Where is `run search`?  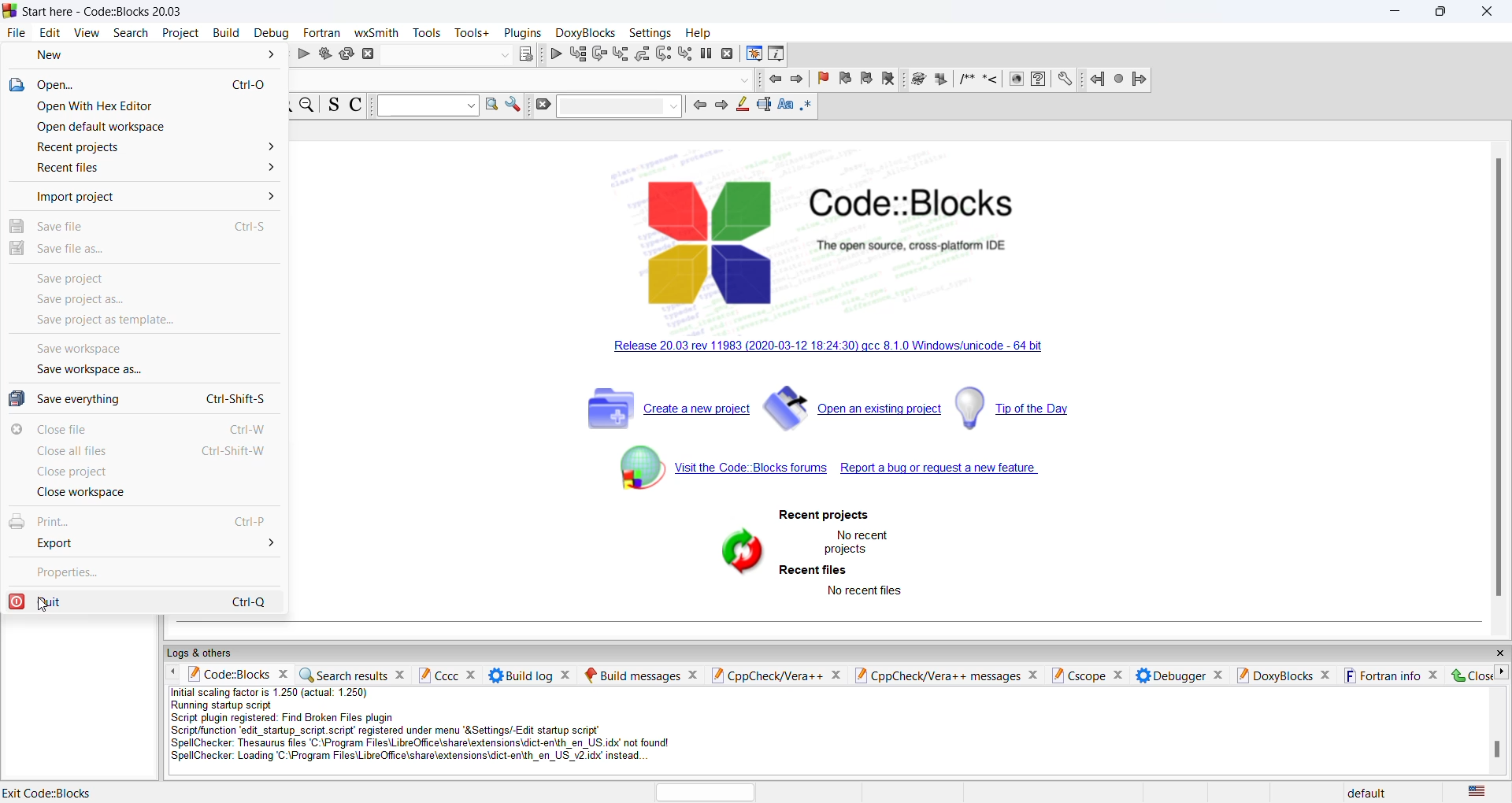 run search is located at coordinates (492, 103).